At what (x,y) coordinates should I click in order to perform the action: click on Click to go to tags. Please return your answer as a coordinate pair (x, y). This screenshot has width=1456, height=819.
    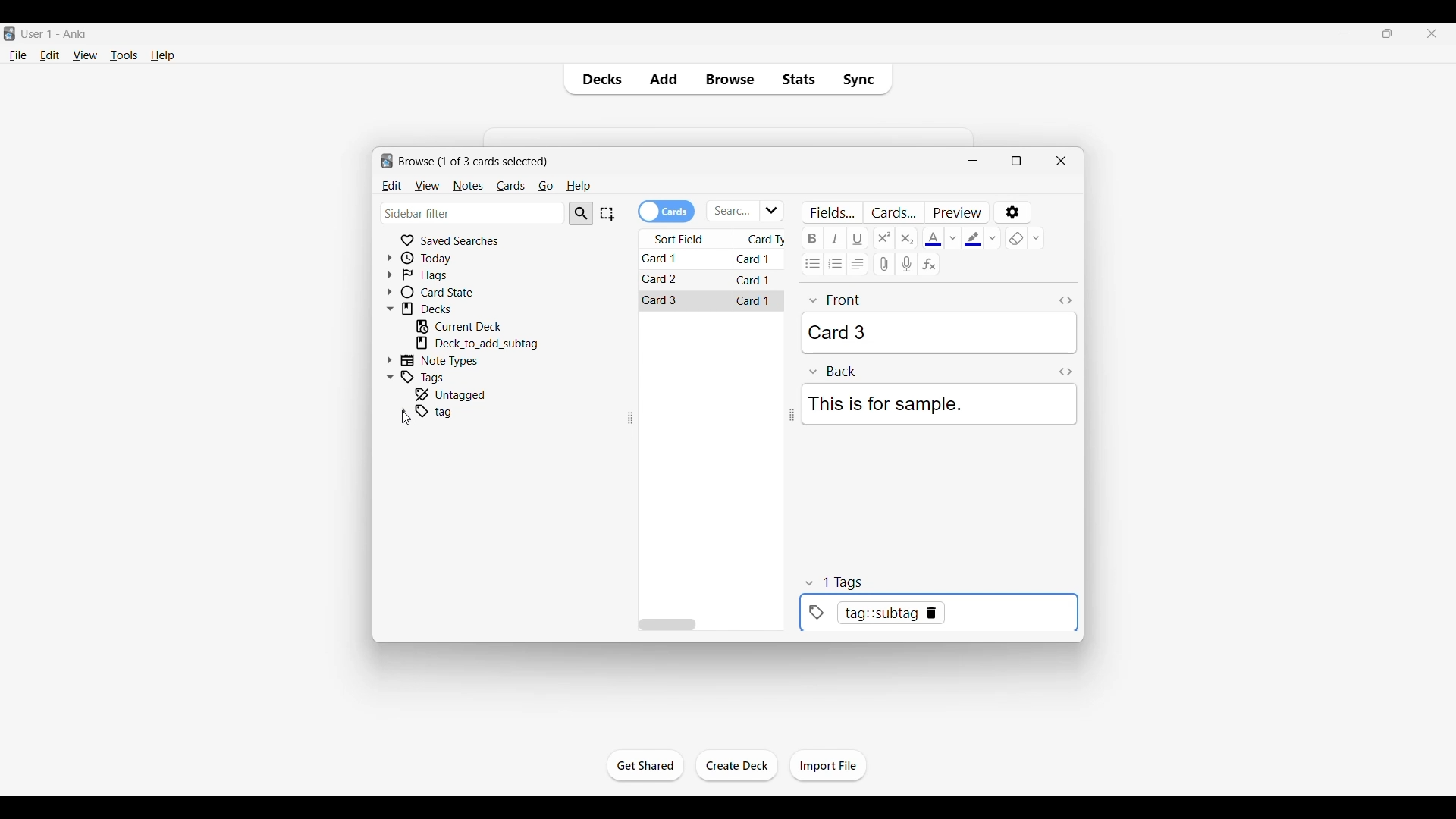
    Looking at the image, I should click on (449, 376).